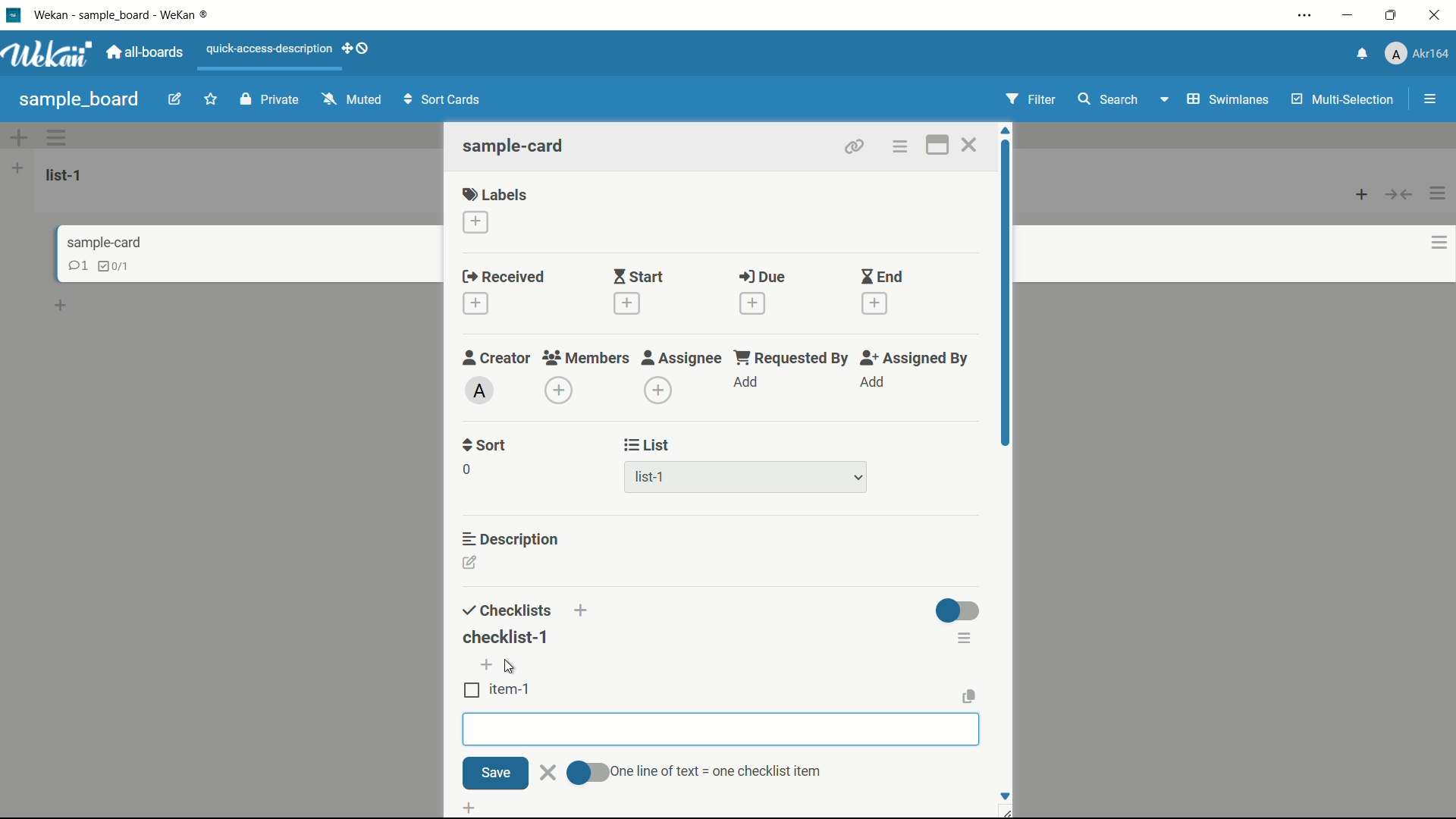 Image resolution: width=1456 pixels, height=819 pixels. I want to click on labels, so click(497, 193).